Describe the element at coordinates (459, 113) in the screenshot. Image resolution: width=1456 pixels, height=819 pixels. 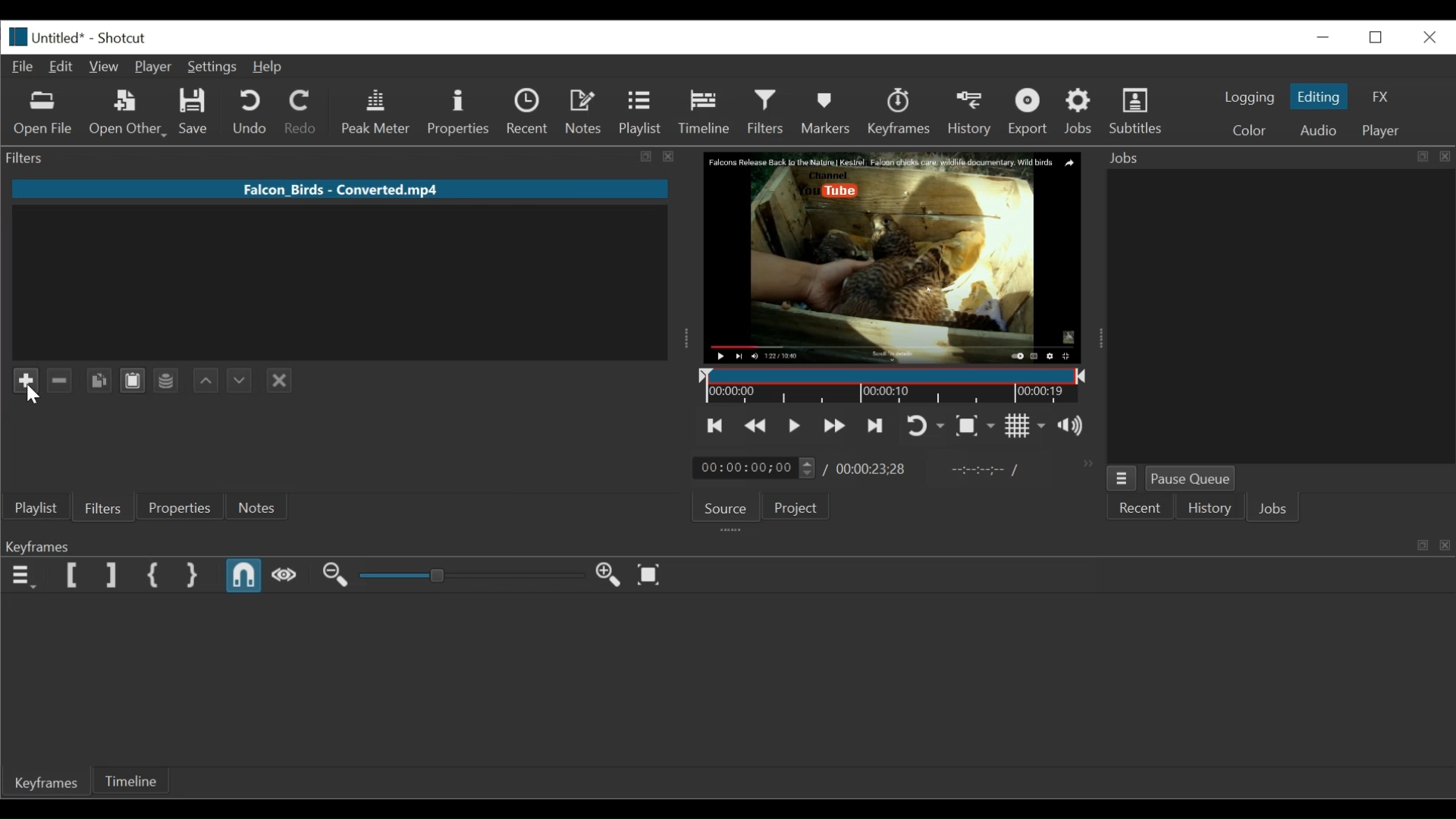
I see `Properties` at that location.